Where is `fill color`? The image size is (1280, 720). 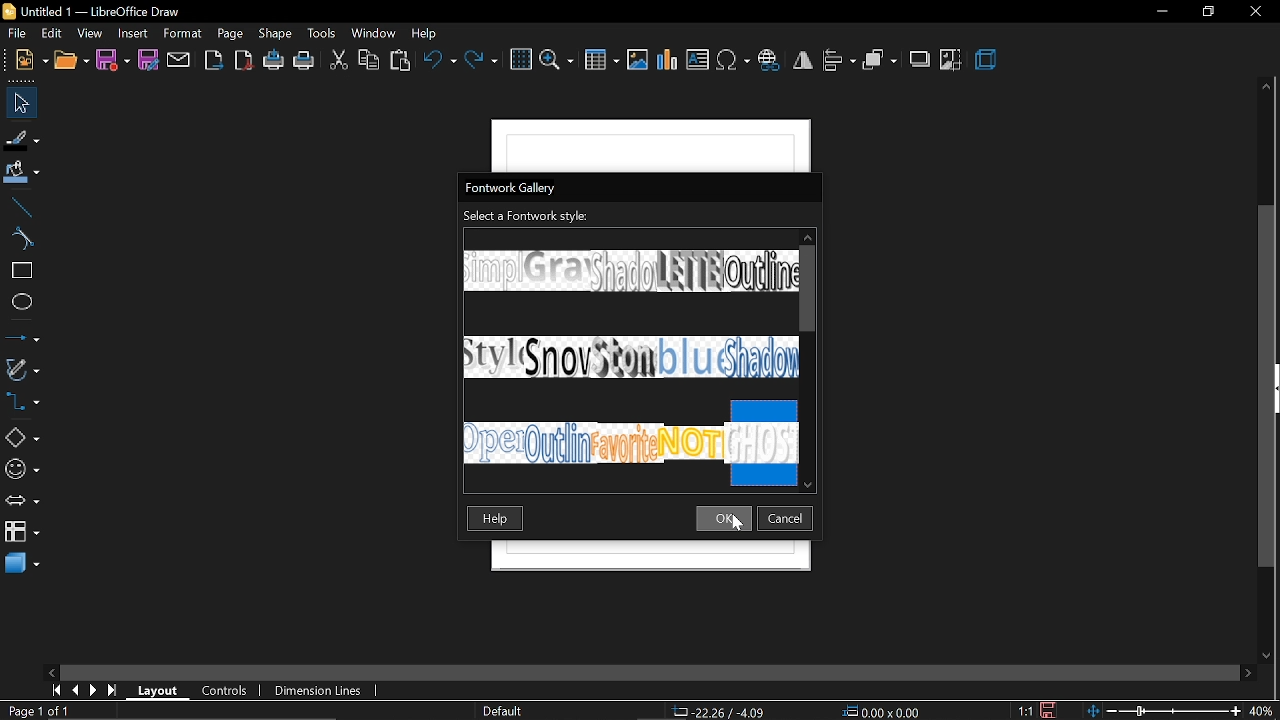
fill color is located at coordinates (21, 172).